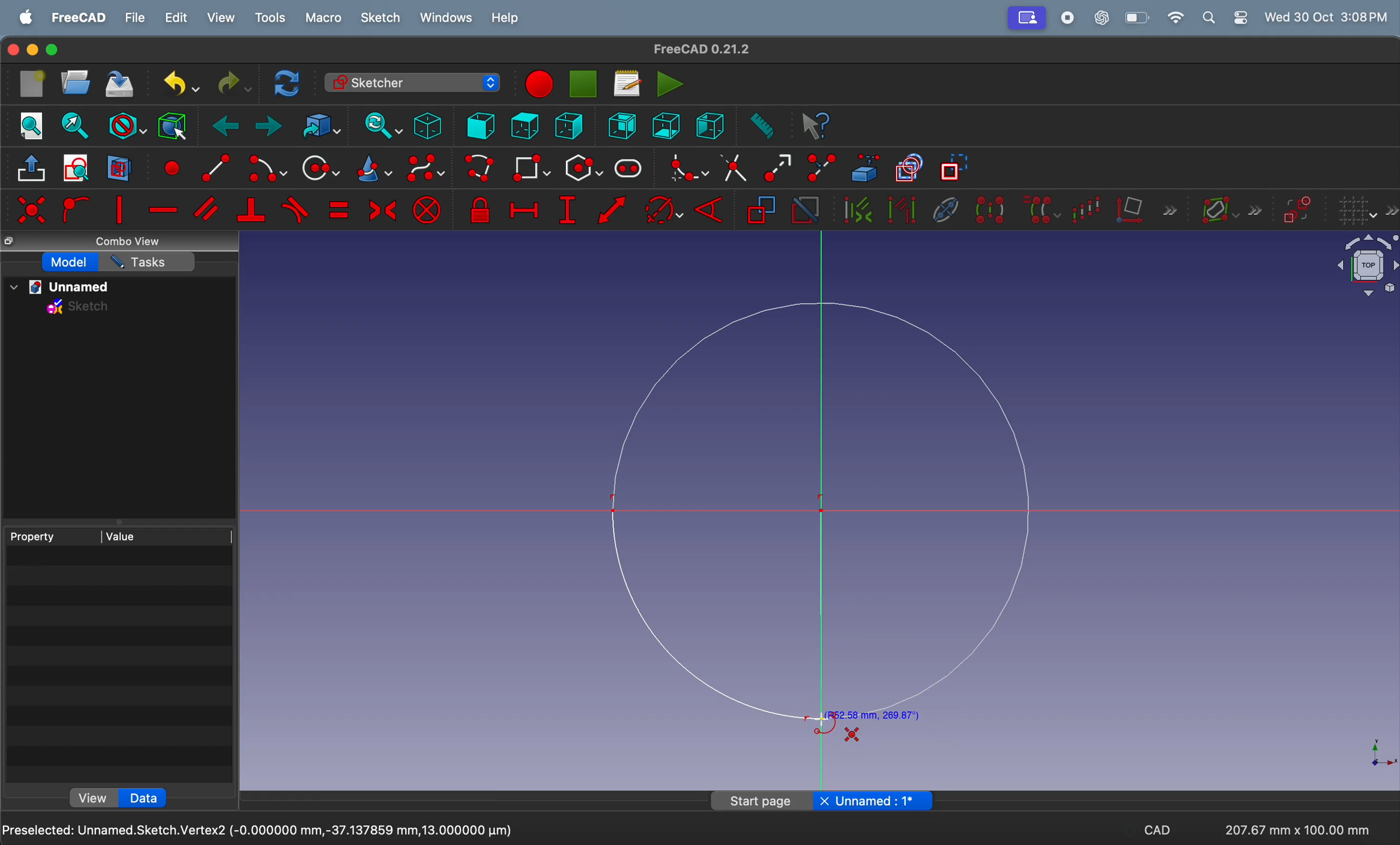 This screenshot has width=1400, height=845. What do you see at coordinates (65, 287) in the screenshot?
I see `unnamed` at bounding box center [65, 287].